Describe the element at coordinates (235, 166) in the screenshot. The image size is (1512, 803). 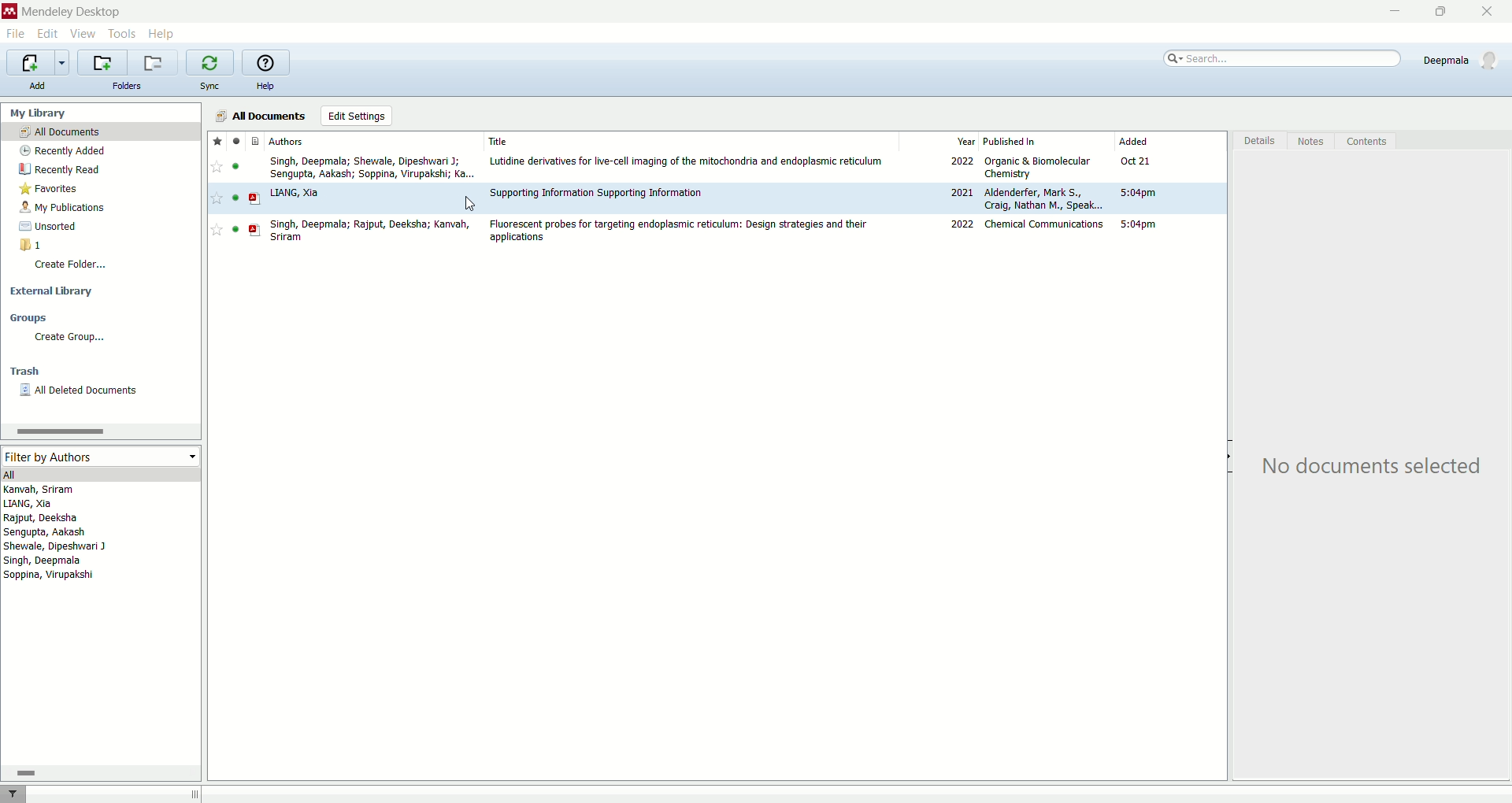
I see `unread` at that location.